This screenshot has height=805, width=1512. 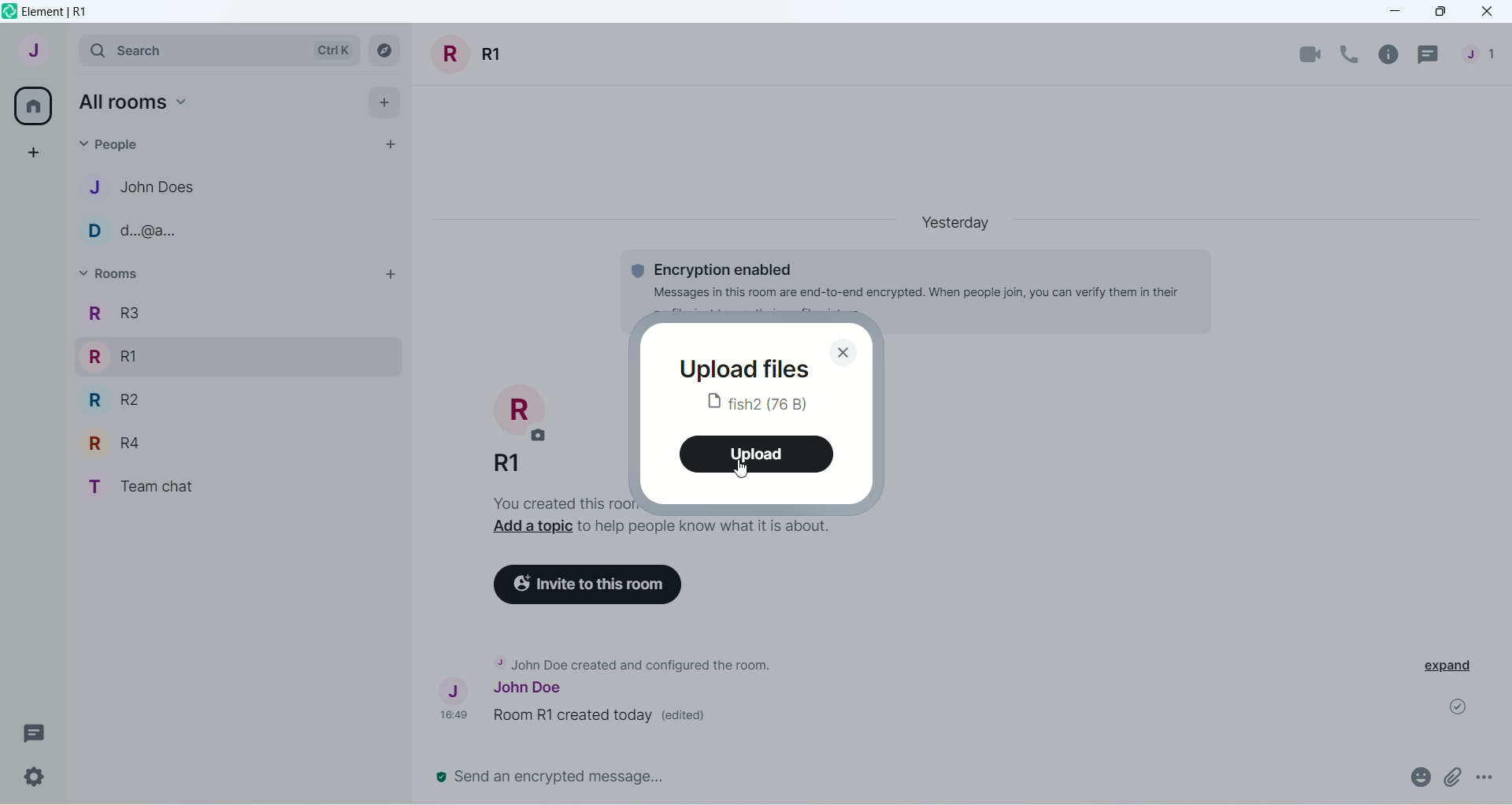 What do you see at coordinates (134, 54) in the screenshot?
I see `search` at bounding box center [134, 54].